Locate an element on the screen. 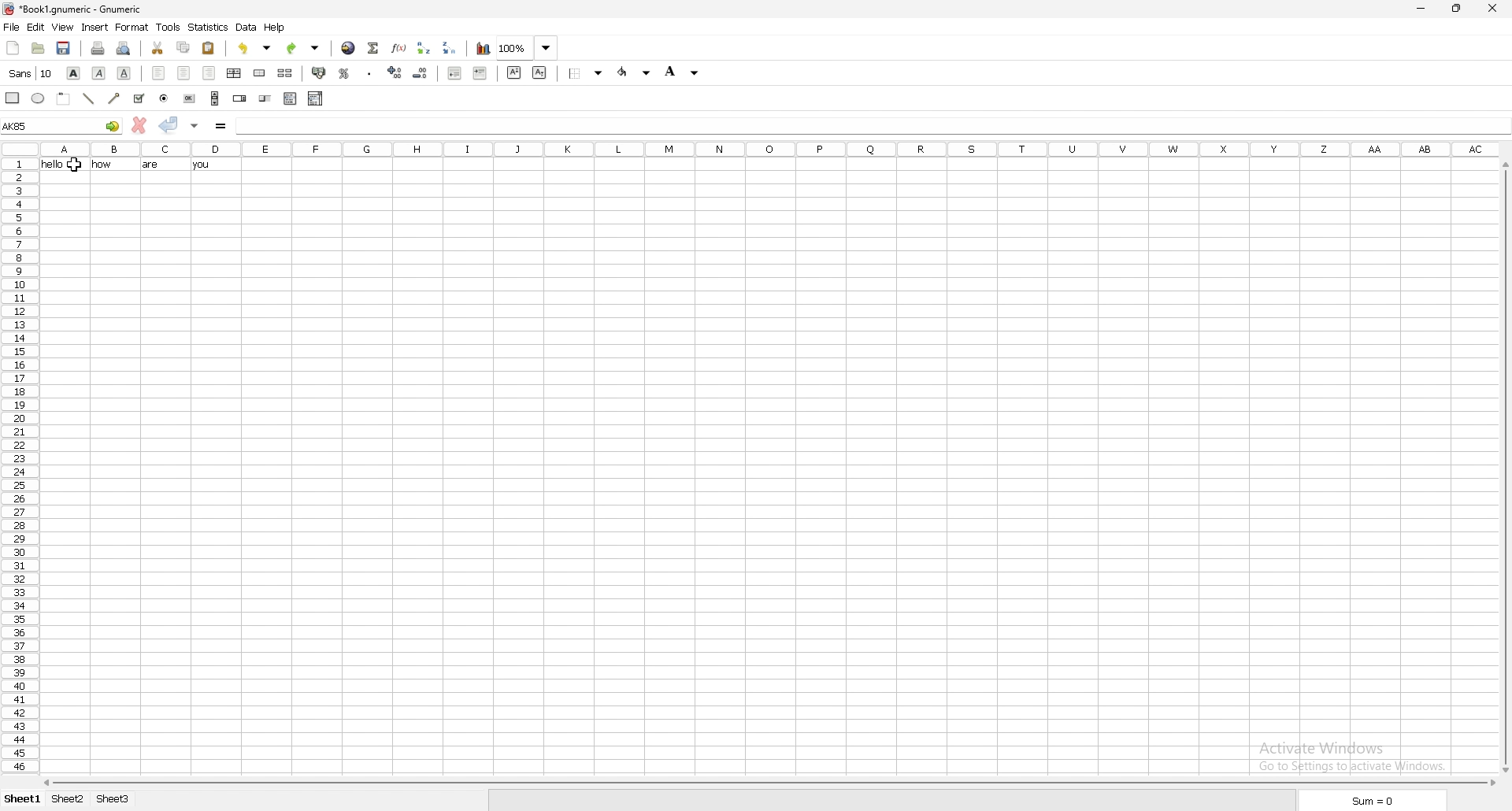 This screenshot has height=811, width=1512. cursor is located at coordinates (76, 167).